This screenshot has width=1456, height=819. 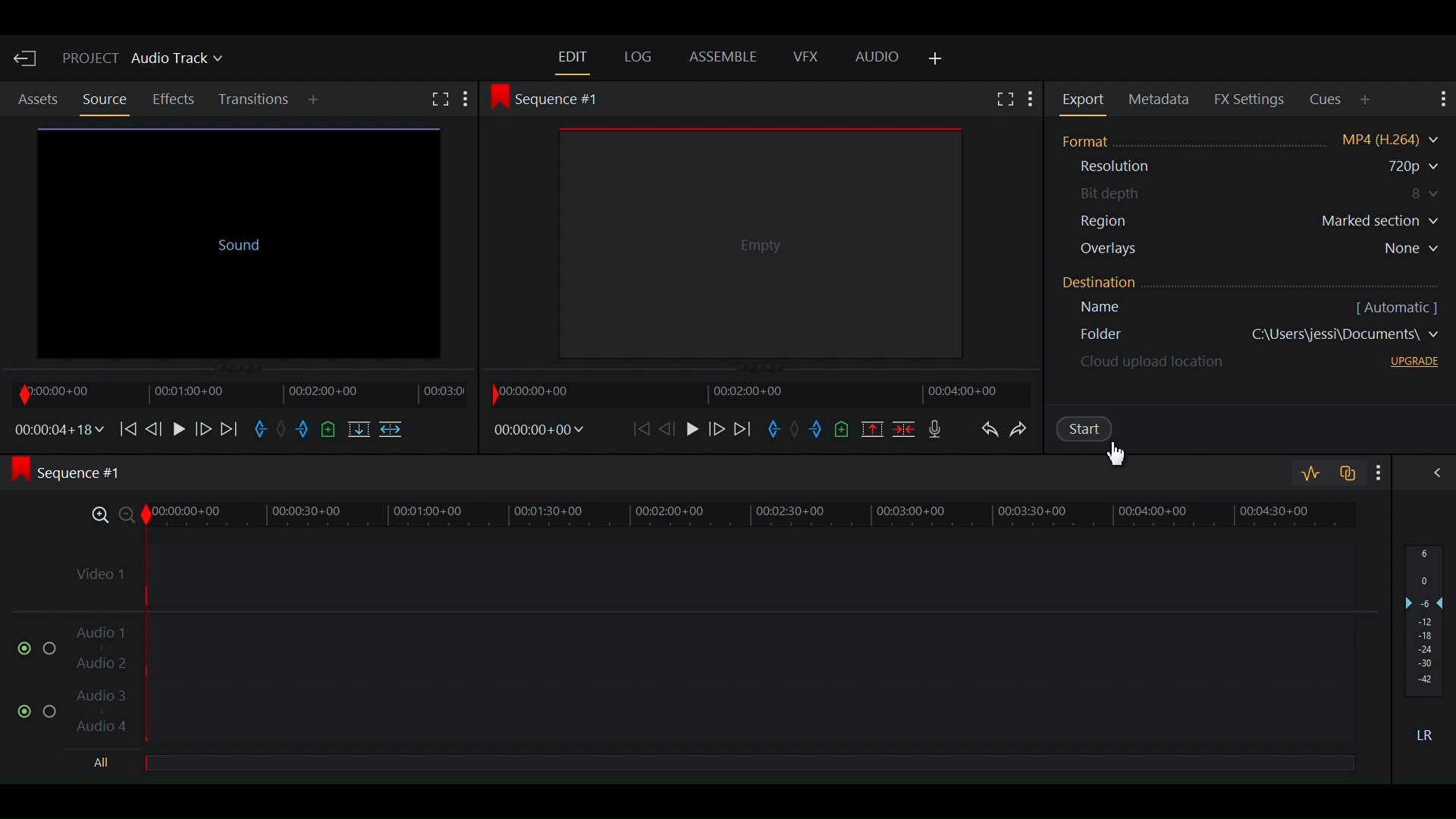 I want to click on [Automatic], so click(x=1395, y=306).